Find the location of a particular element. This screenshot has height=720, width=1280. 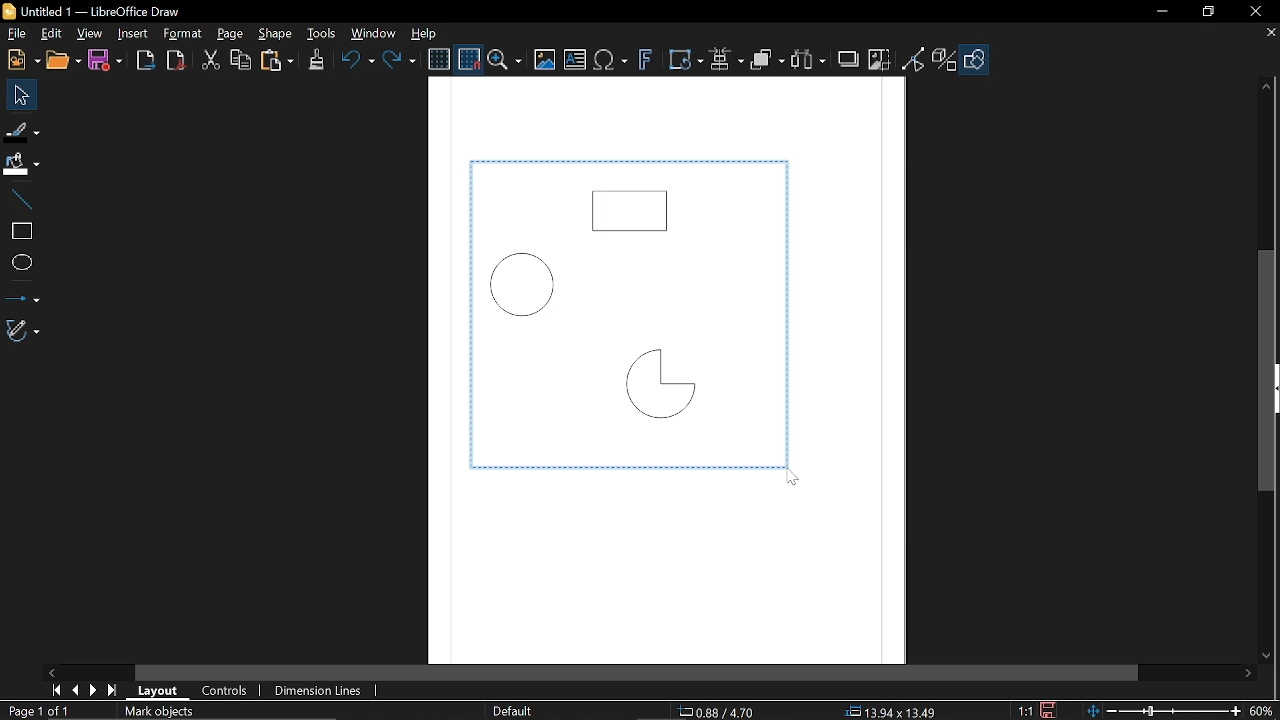

Layout is located at coordinates (156, 691).